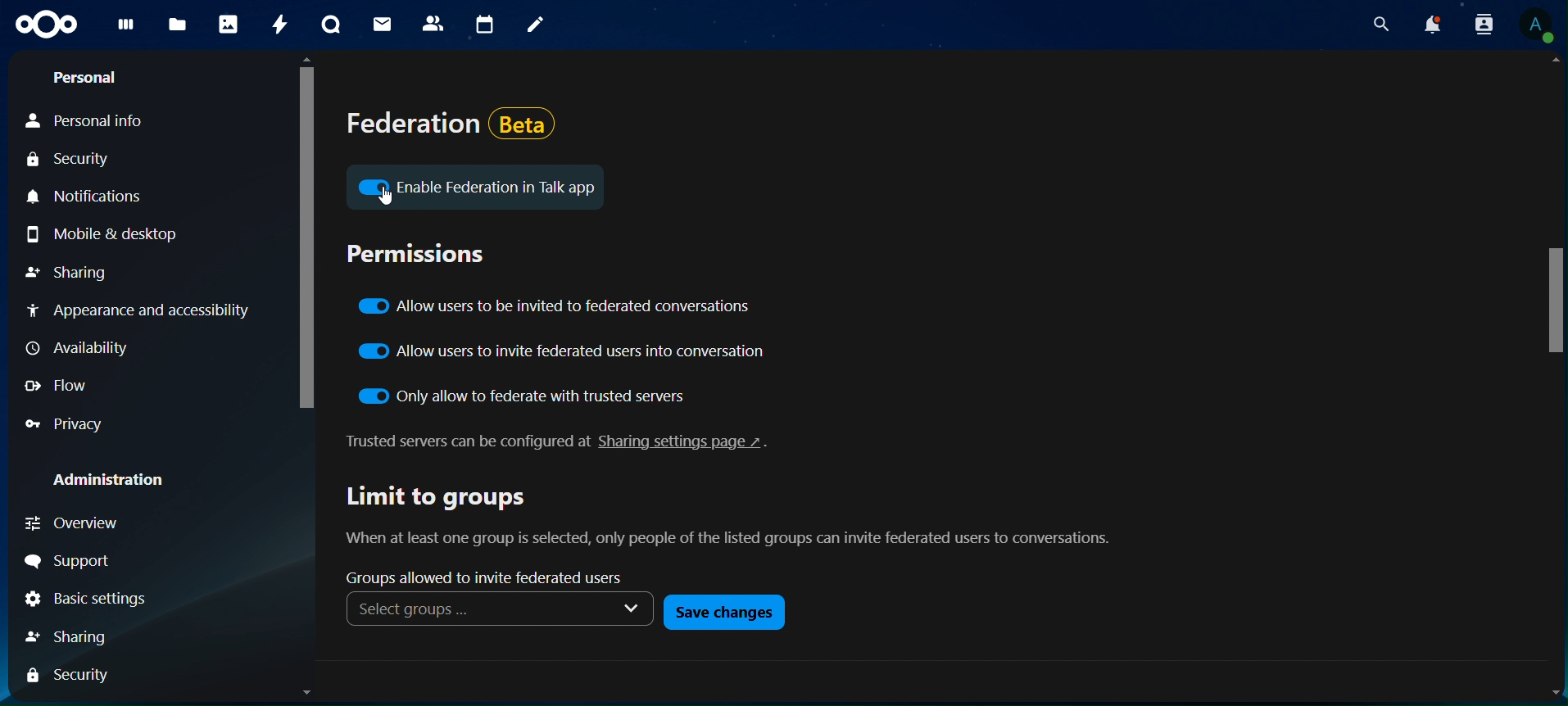  What do you see at coordinates (415, 256) in the screenshot?
I see `permissions` at bounding box center [415, 256].